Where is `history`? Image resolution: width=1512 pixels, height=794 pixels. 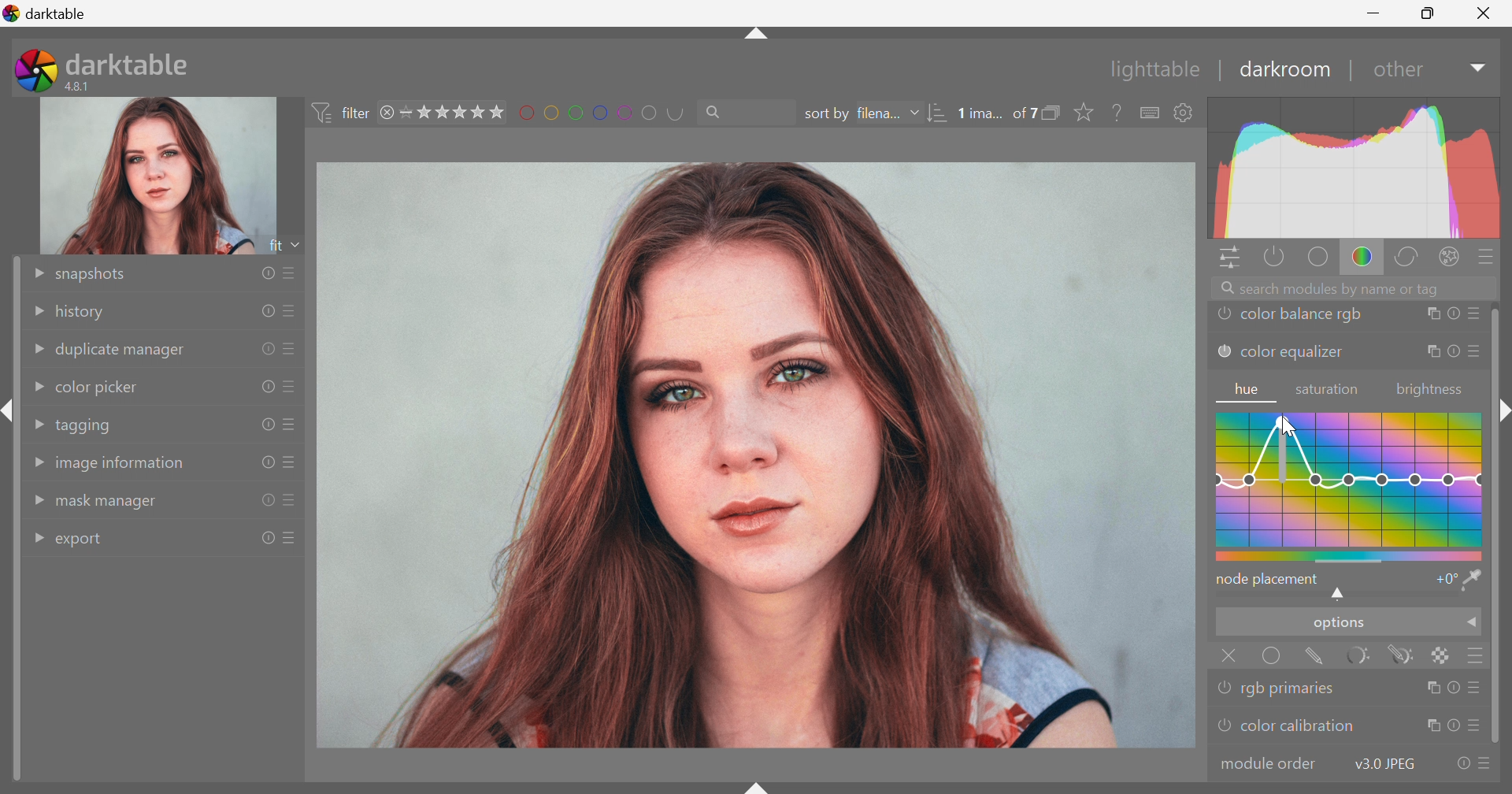 history is located at coordinates (84, 313).